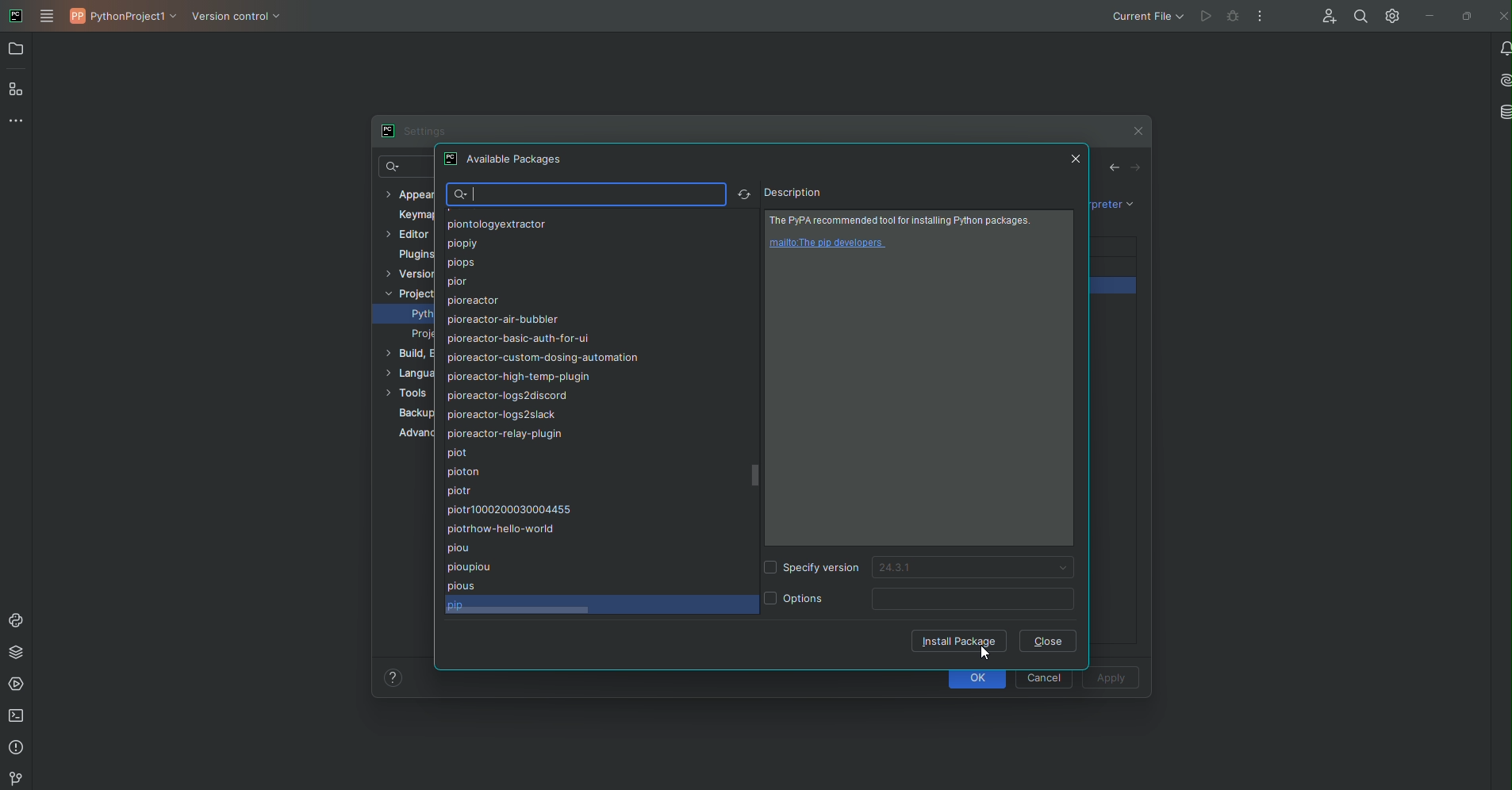 The height and width of the screenshot is (790, 1512). I want to click on Database, so click(1502, 110).